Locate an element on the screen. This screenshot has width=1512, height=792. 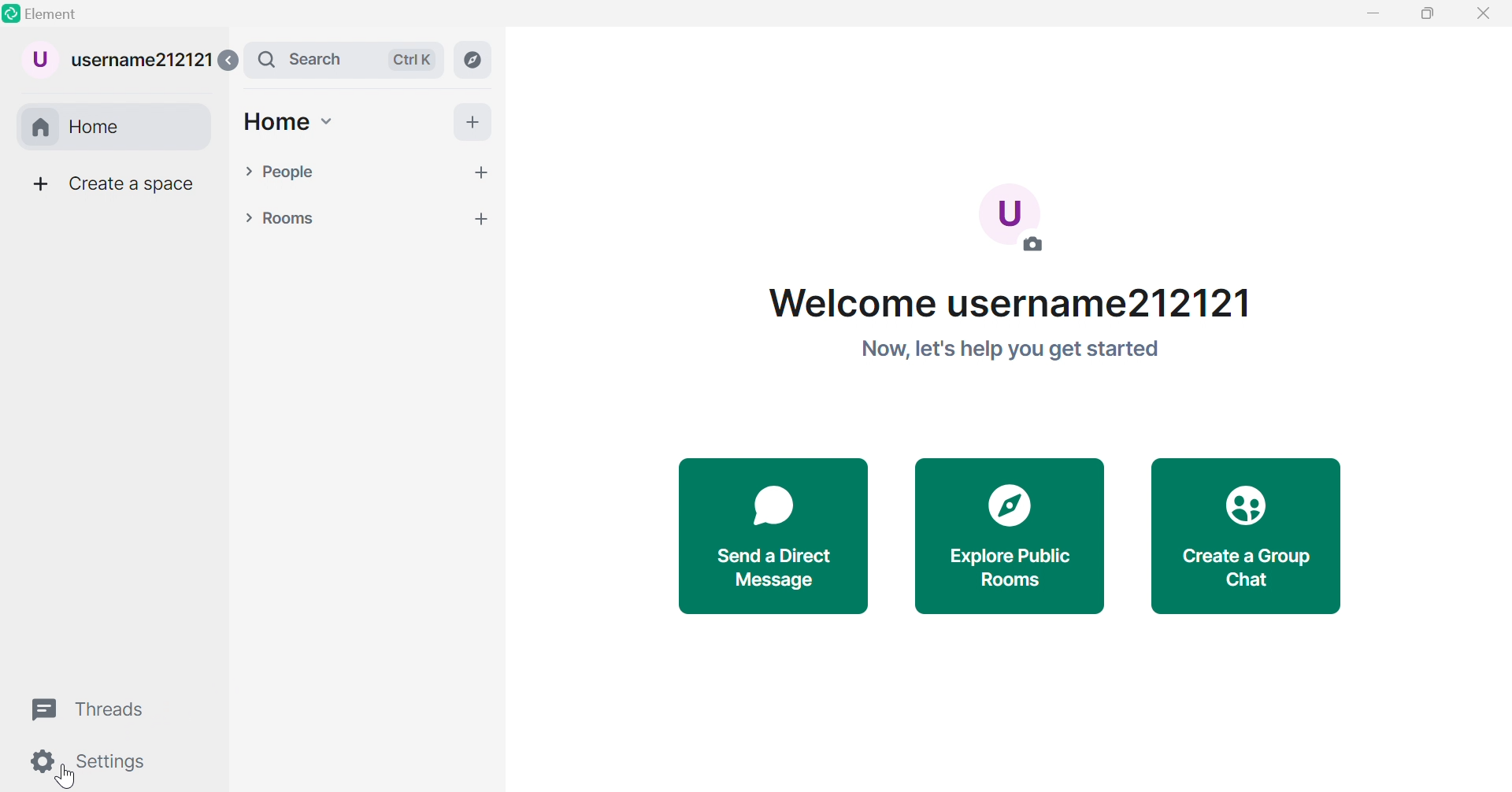
Restore down is located at coordinates (1426, 16).